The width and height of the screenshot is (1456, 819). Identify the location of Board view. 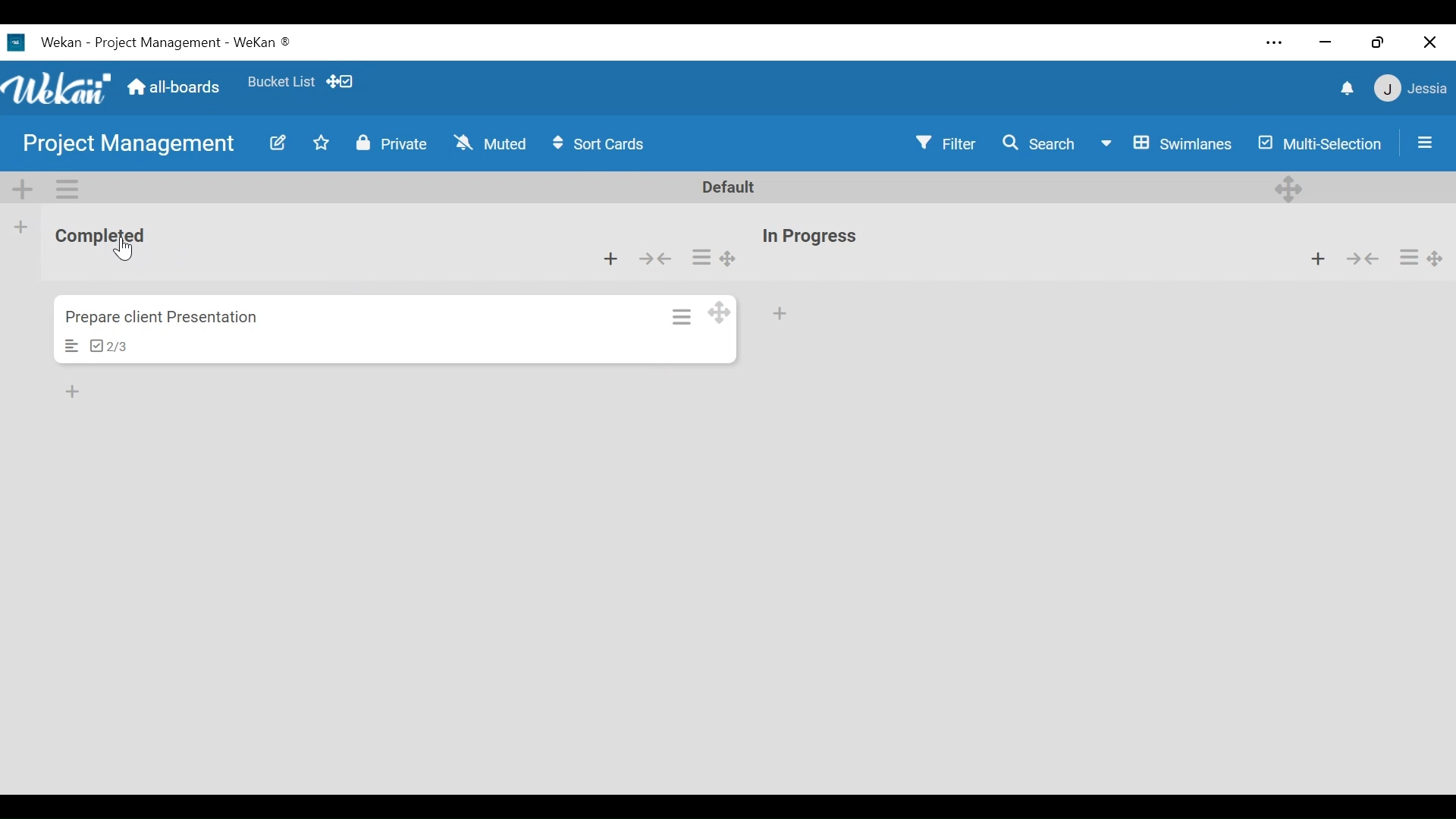
(1169, 143).